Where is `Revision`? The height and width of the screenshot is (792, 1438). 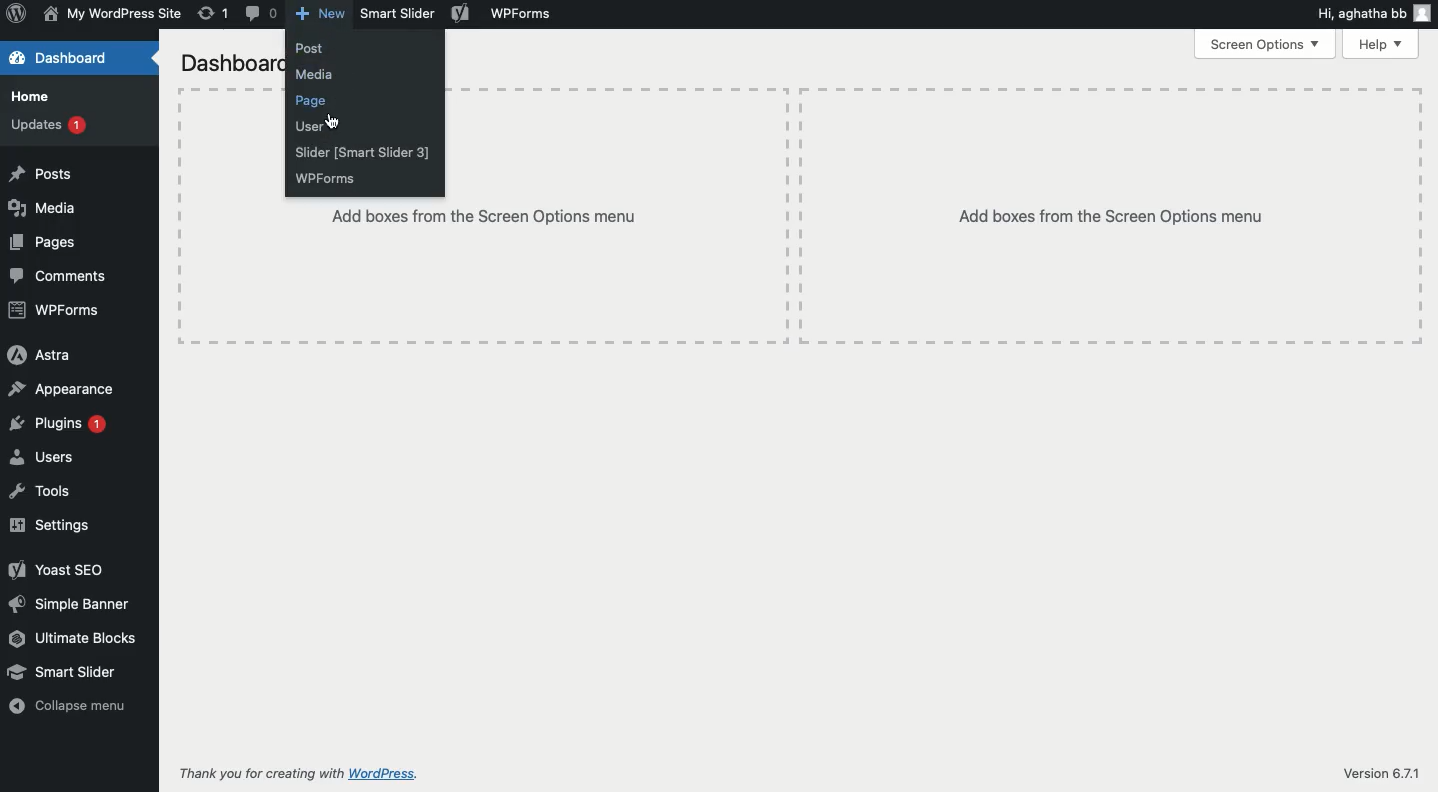
Revision is located at coordinates (211, 13).